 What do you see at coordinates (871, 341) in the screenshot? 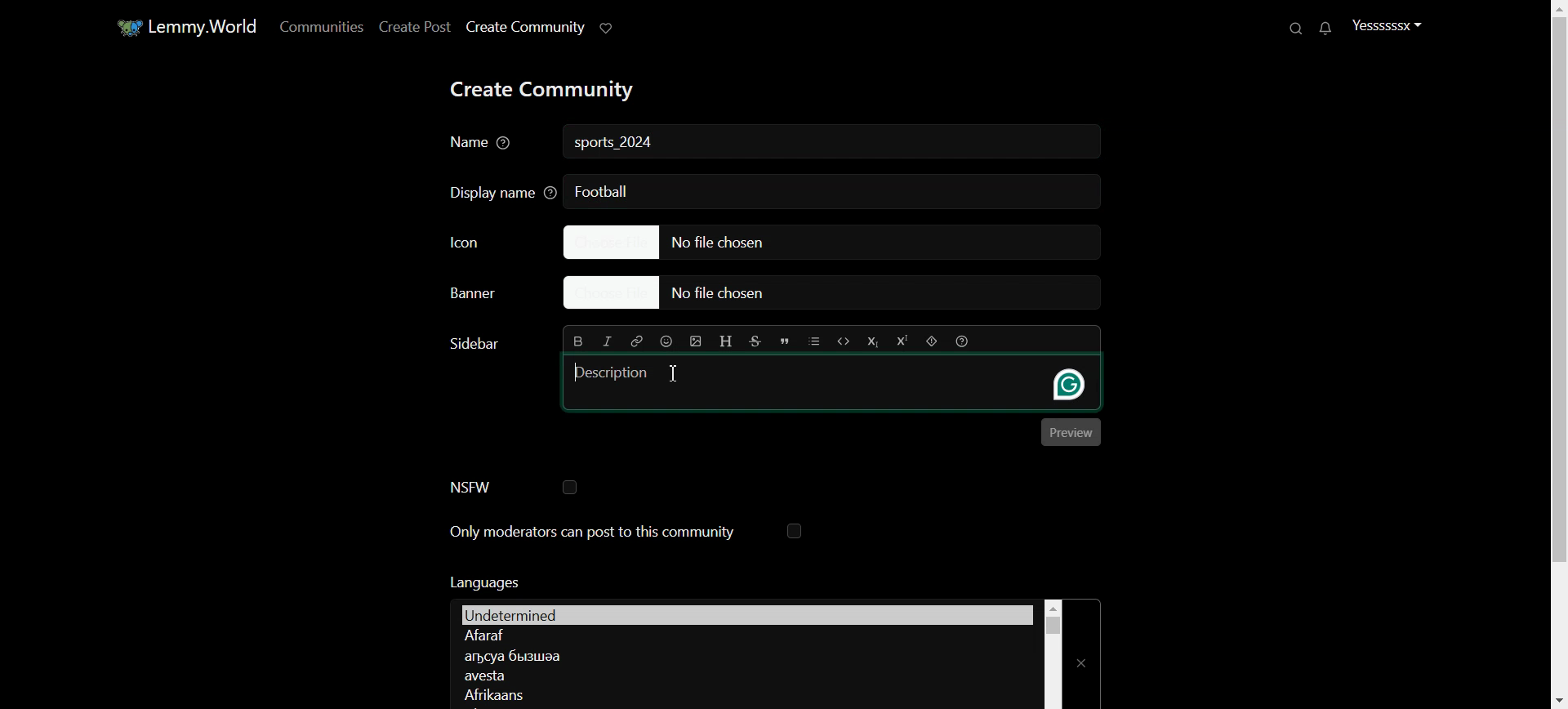
I see `Subscript` at bounding box center [871, 341].